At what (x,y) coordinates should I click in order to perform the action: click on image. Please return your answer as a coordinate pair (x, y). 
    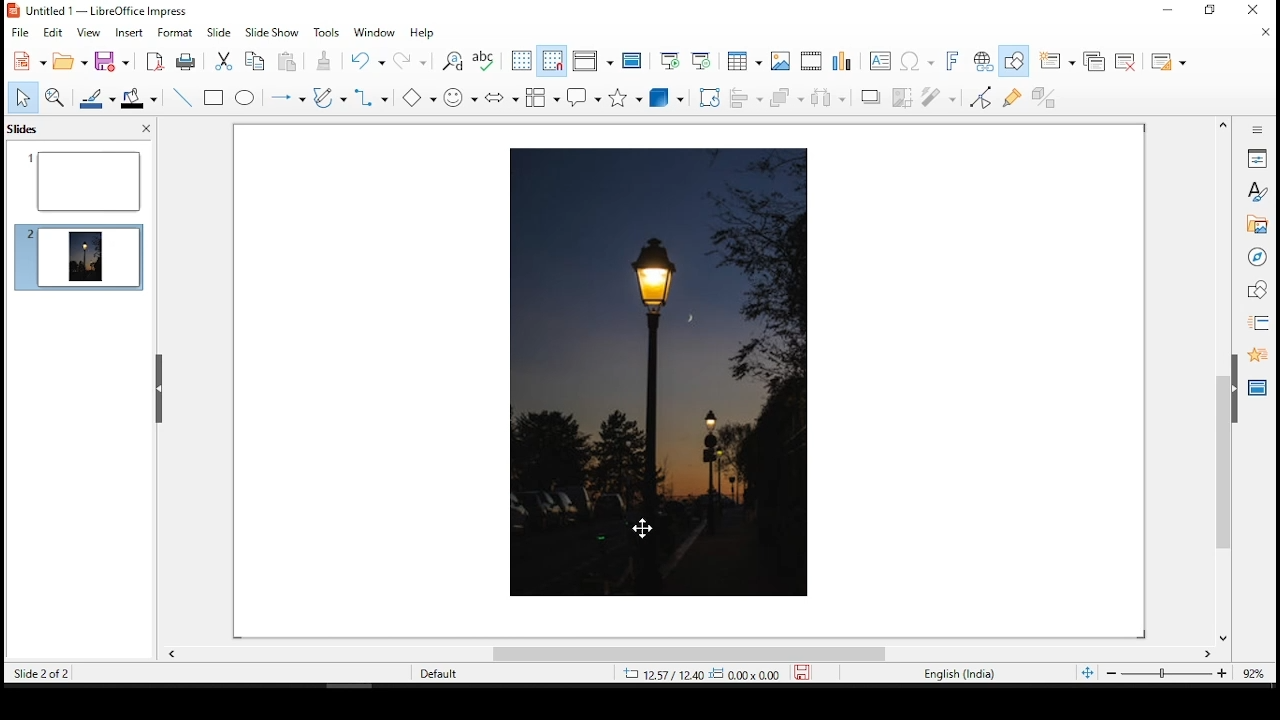
    Looking at the image, I should click on (658, 372).